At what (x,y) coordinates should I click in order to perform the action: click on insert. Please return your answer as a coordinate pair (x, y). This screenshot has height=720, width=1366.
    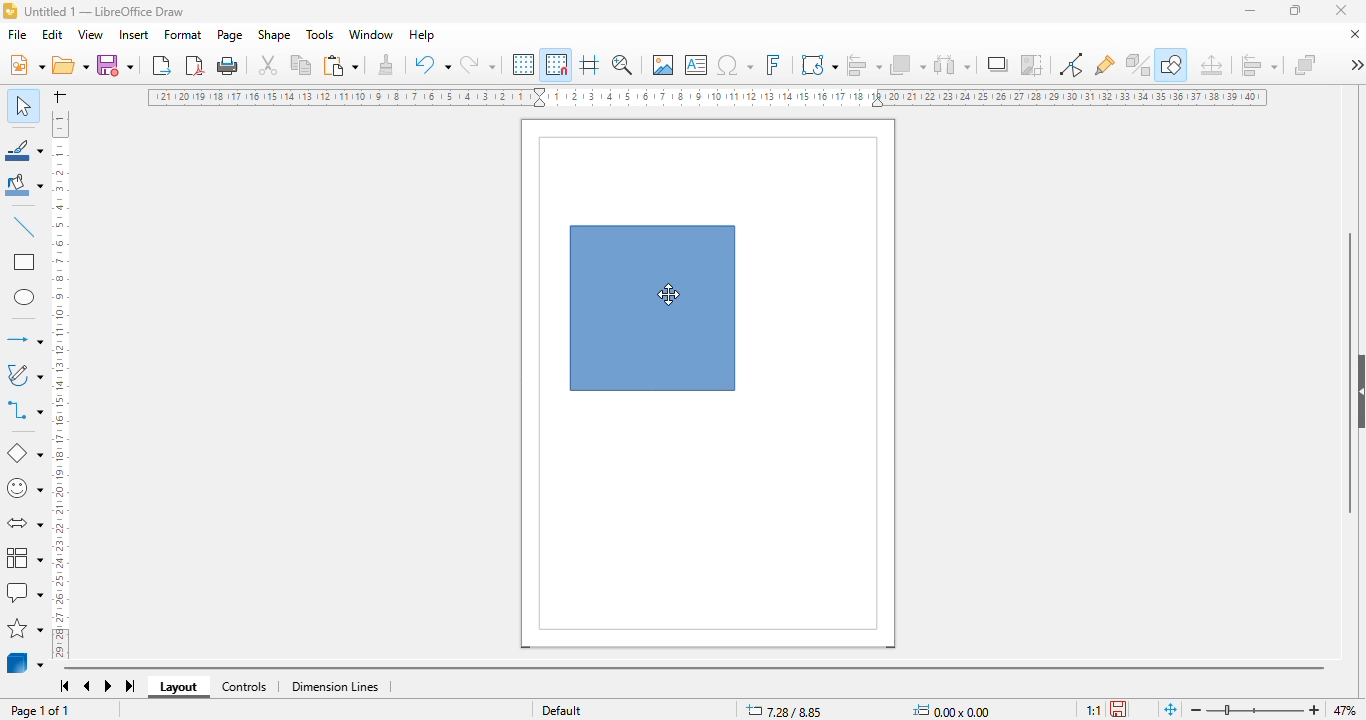
    Looking at the image, I should click on (134, 35).